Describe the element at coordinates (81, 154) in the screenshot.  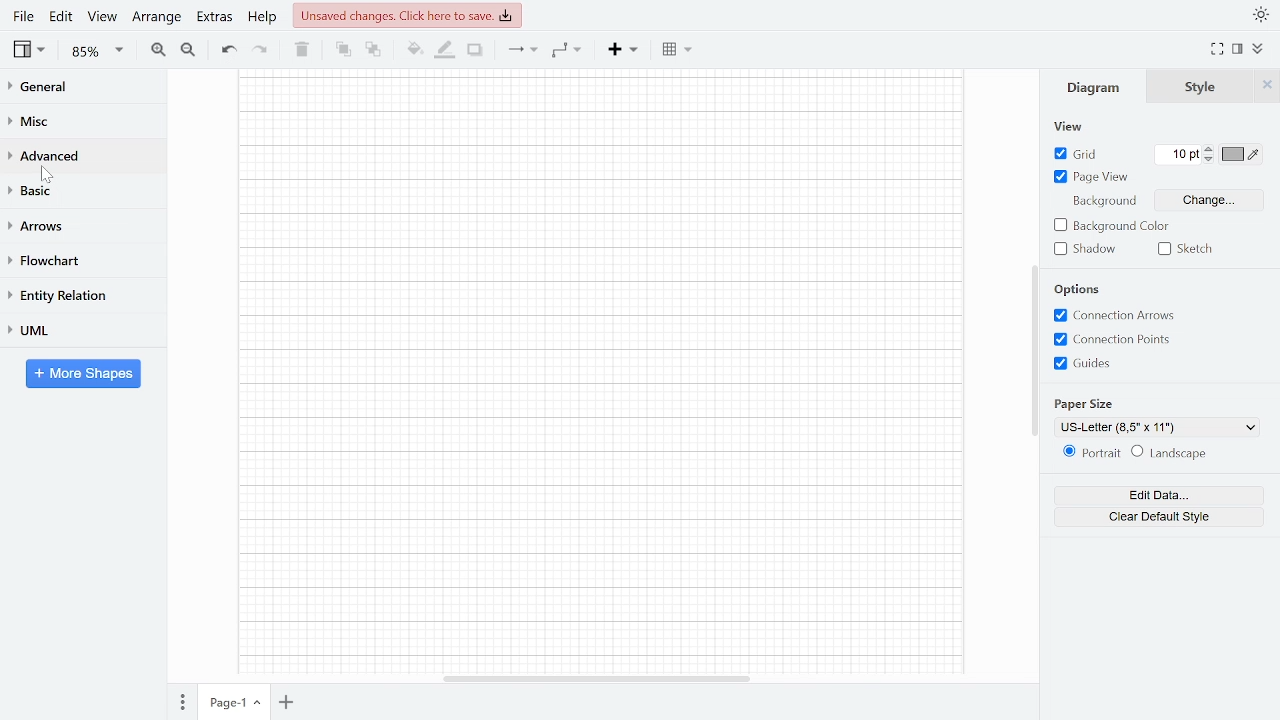
I see `Advanced` at that location.